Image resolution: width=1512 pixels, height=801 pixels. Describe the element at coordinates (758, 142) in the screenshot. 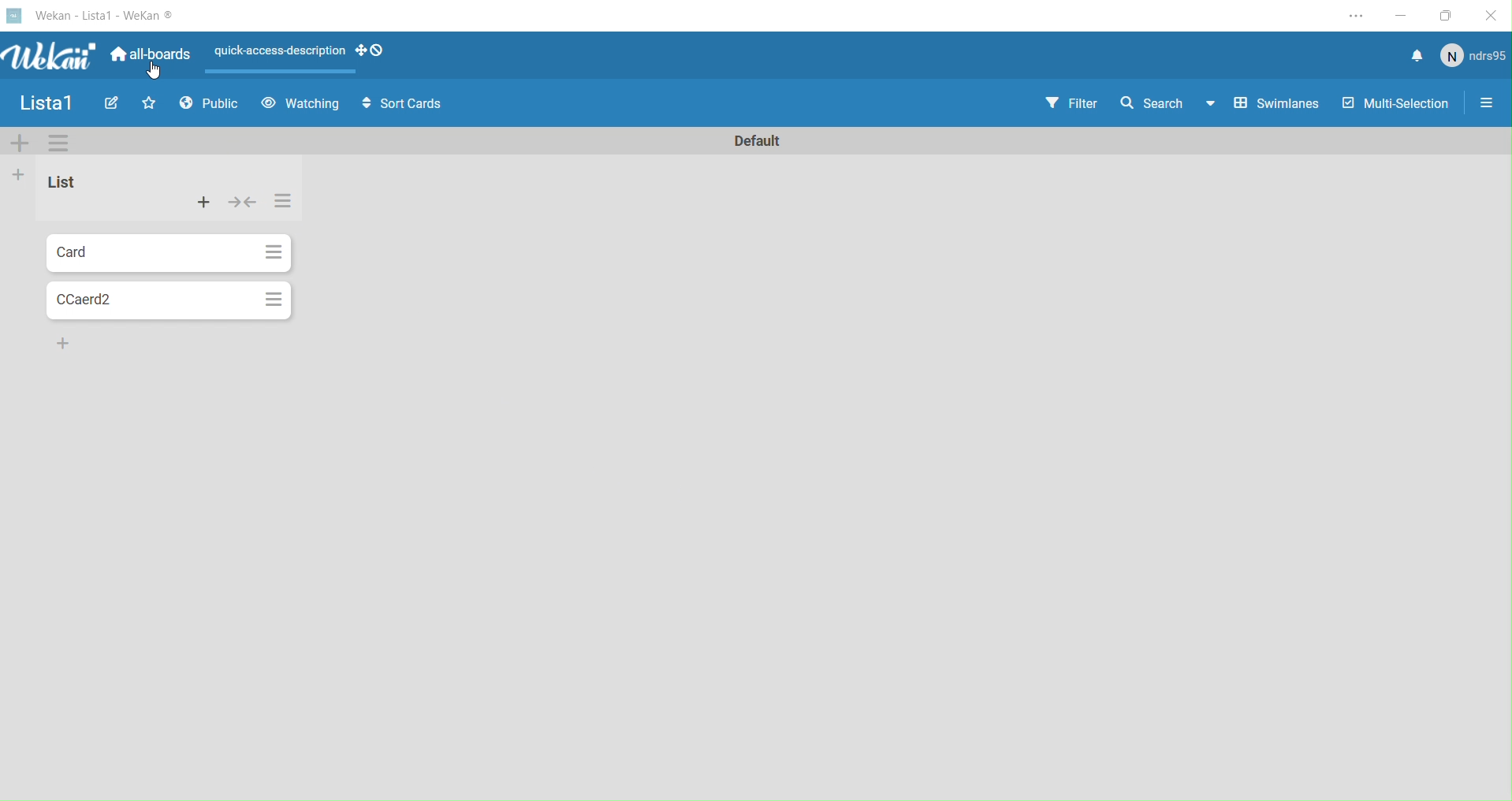

I see `Name` at that location.